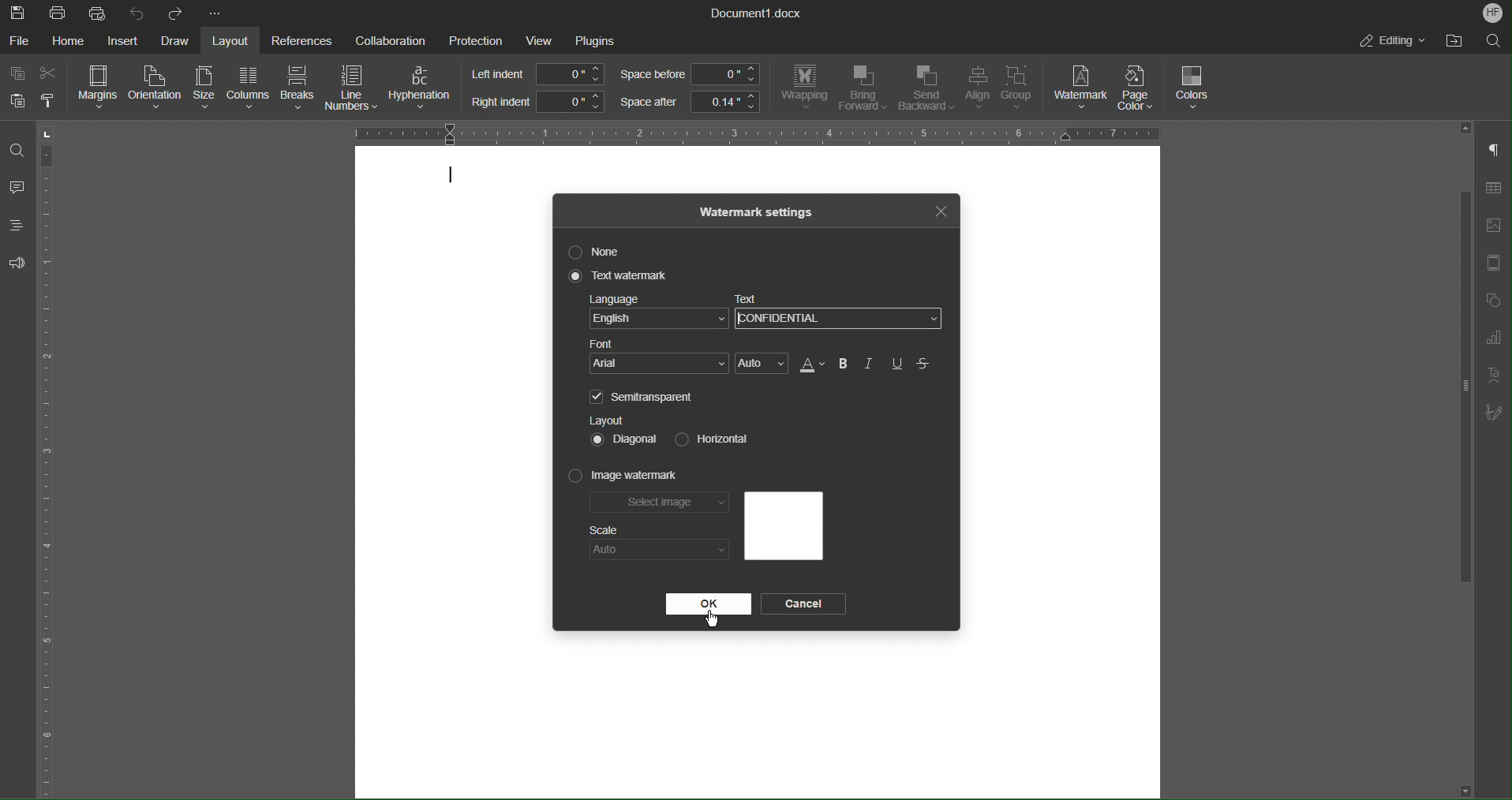 The height and width of the screenshot is (800, 1512). I want to click on Editing, so click(1391, 40).